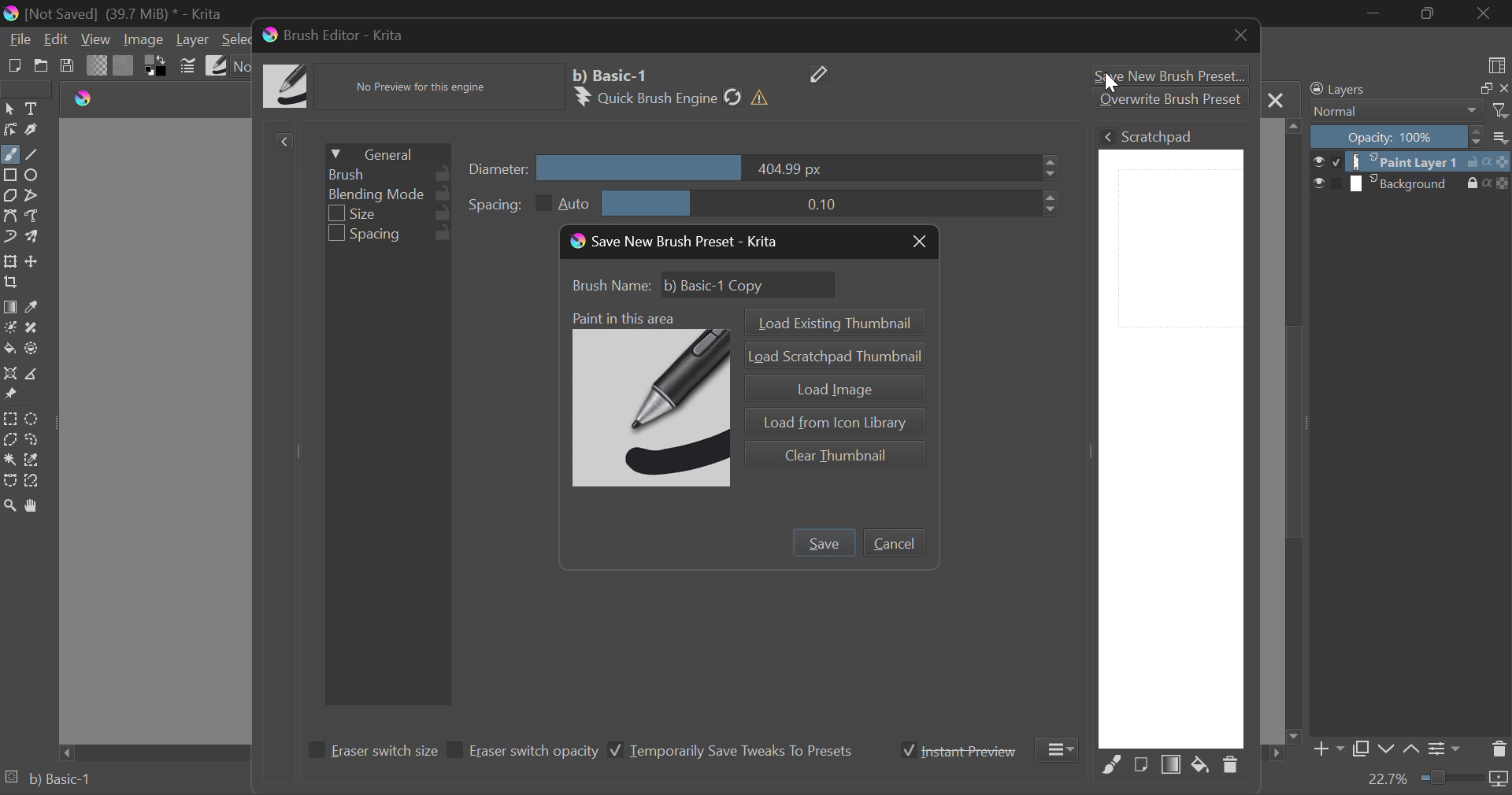  I want to click on Bezier Curve, so click(9, 482).